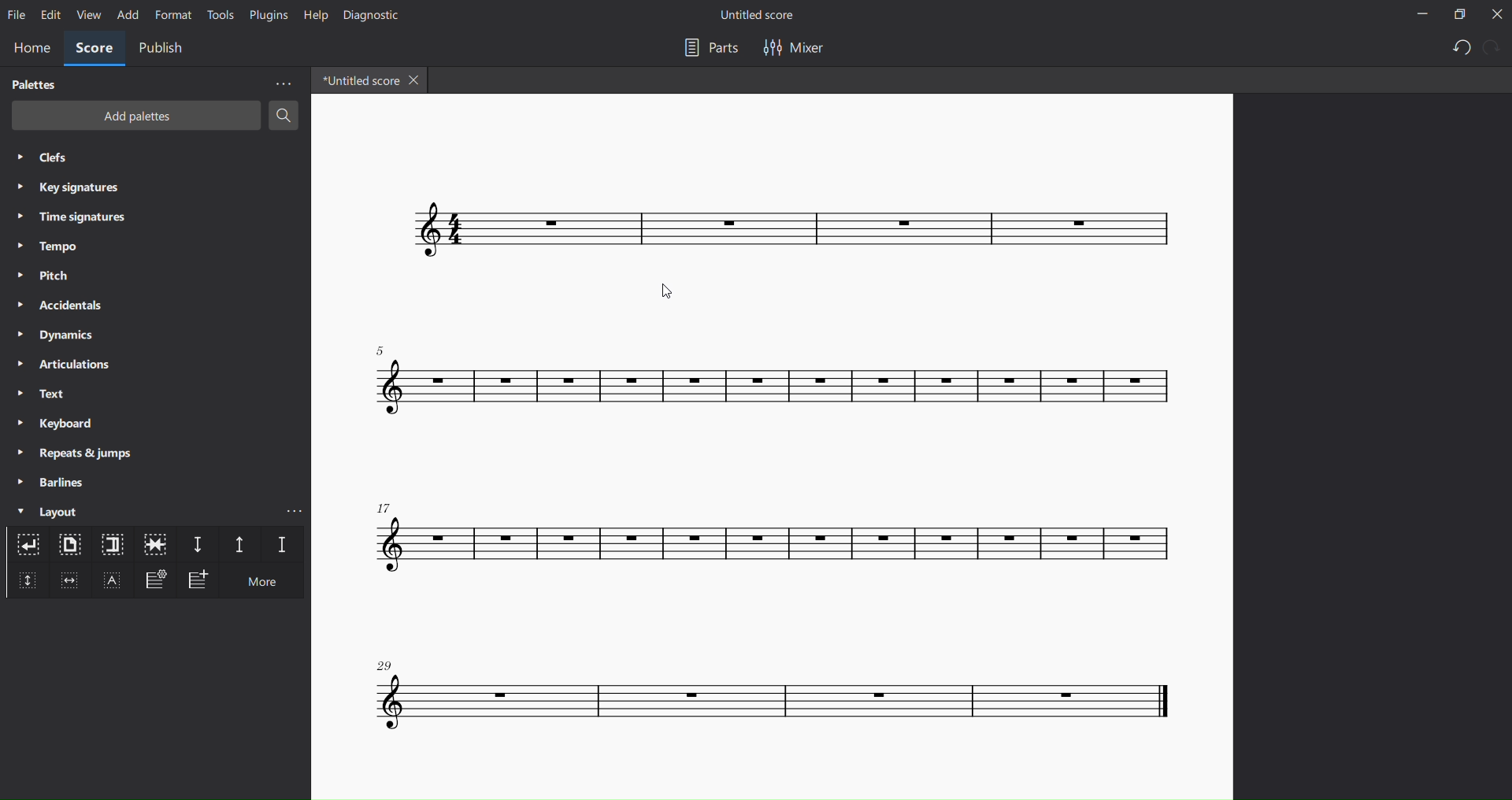 This screenshot has height=800, width=1512. Describe the element at coordinates (50, 159) in the screenshot. I see `clefs` at that location.